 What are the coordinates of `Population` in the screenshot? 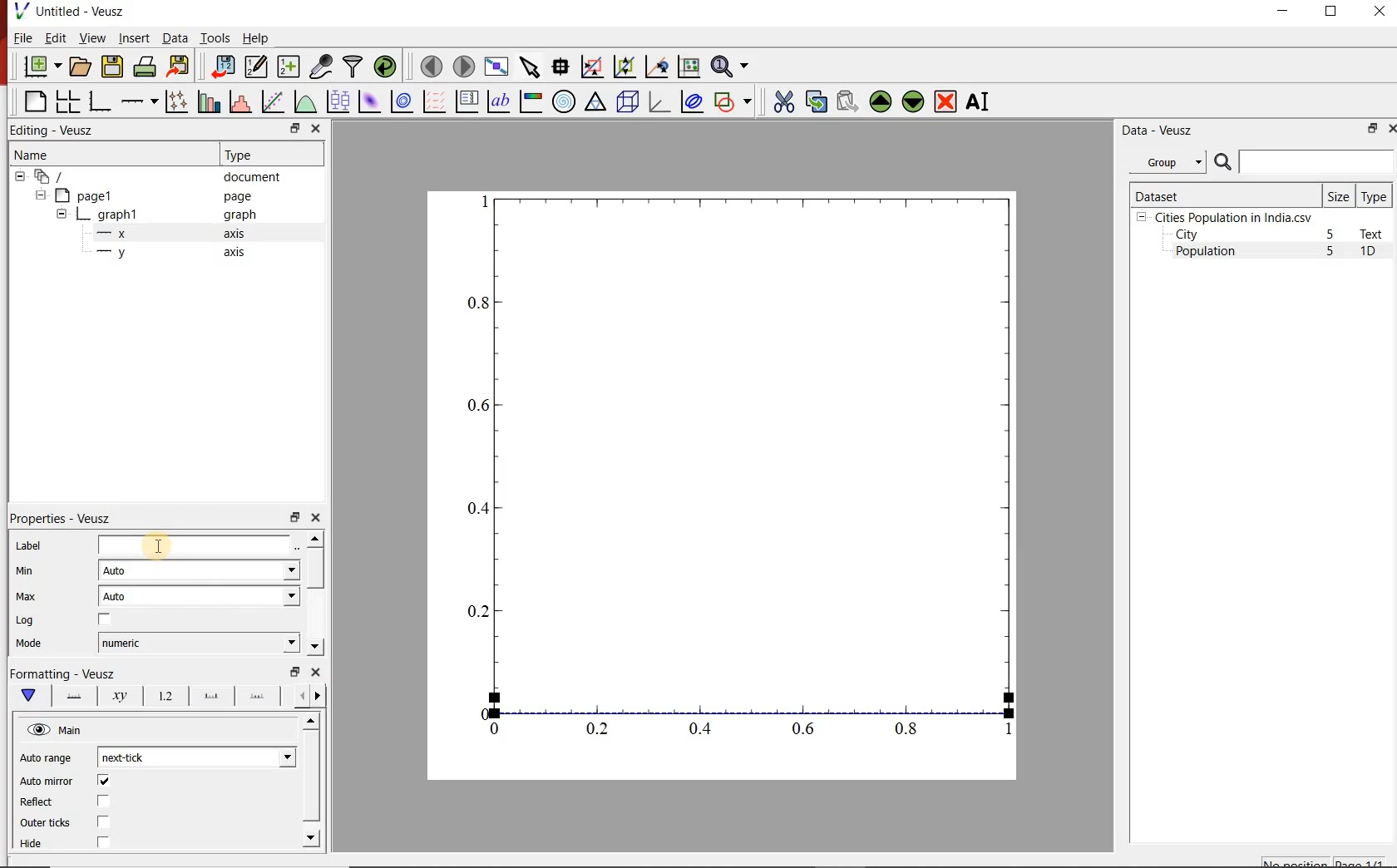 It's located at (1206, 253).